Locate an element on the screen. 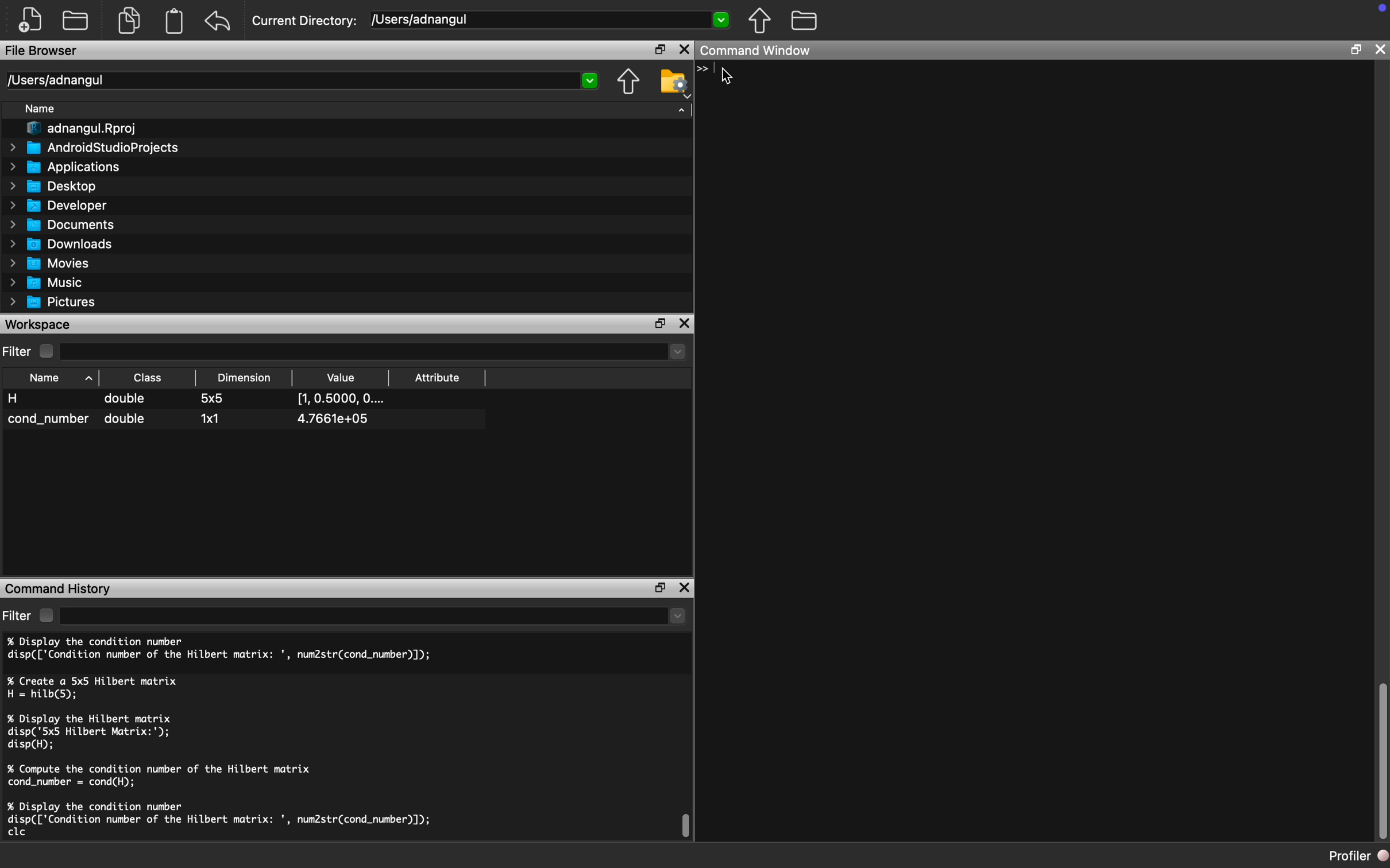  Current Directory: is located at coordinates (304, 22).